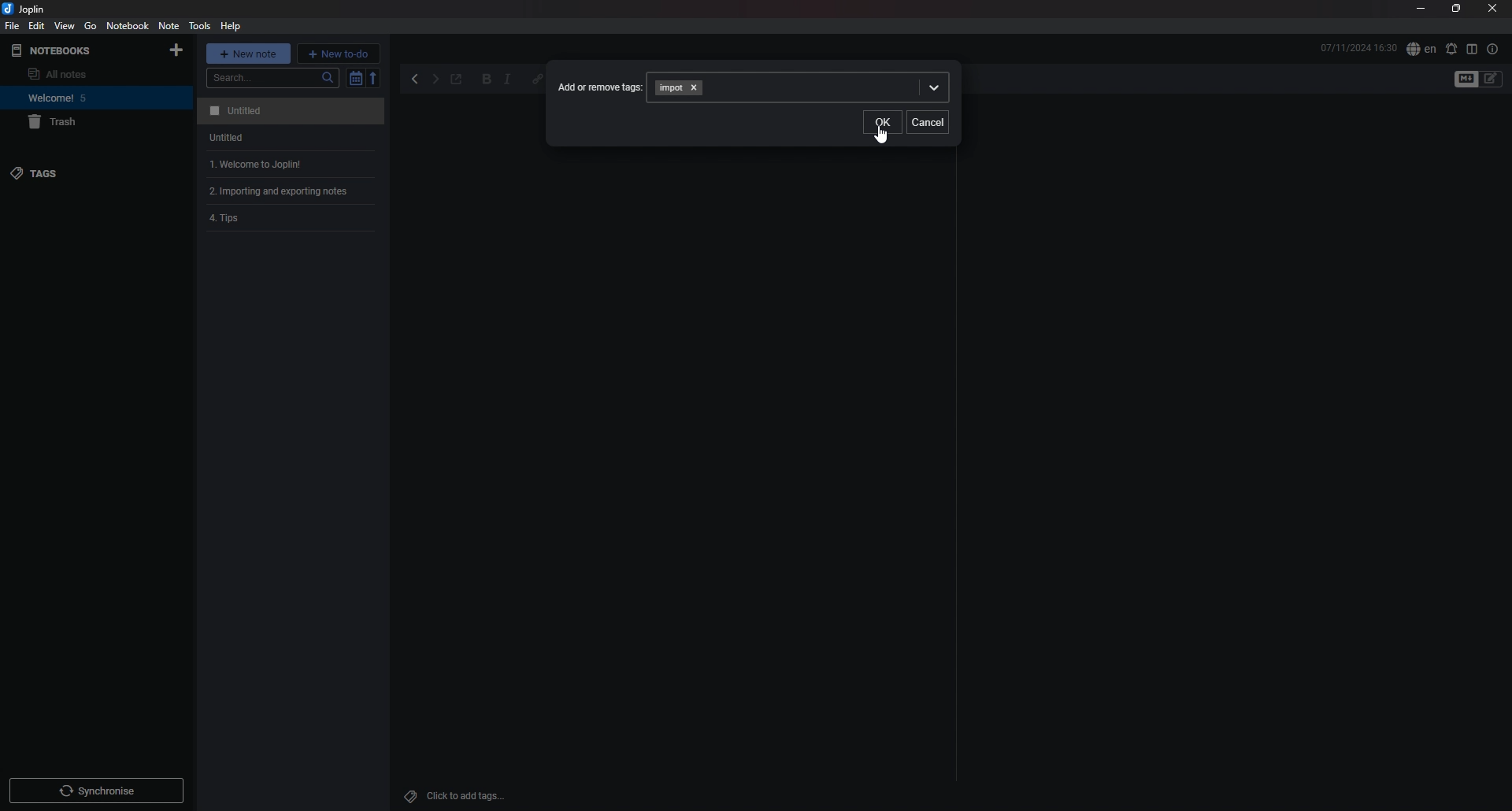 This screenshot has width=1512, height=811. I want to click on spell check, so click(1421, 50).